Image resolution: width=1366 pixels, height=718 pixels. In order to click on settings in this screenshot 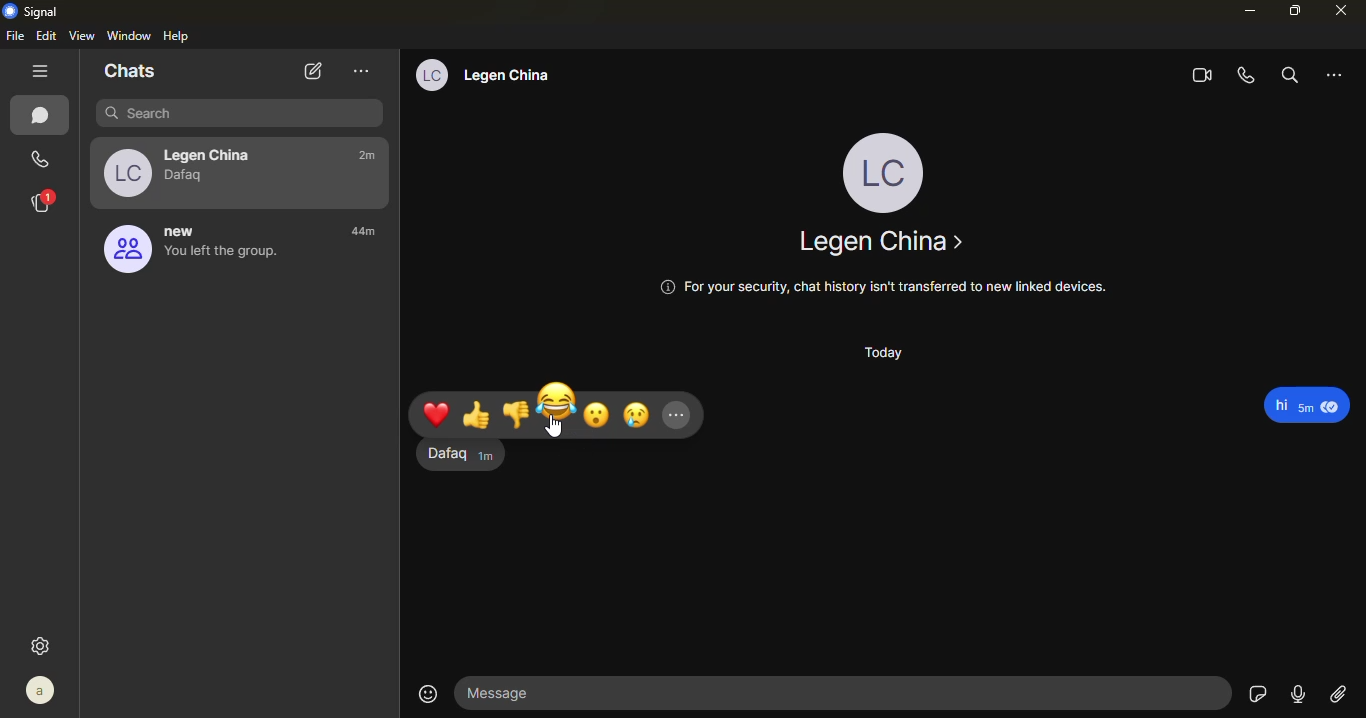, I will do `click(43, 645)`.